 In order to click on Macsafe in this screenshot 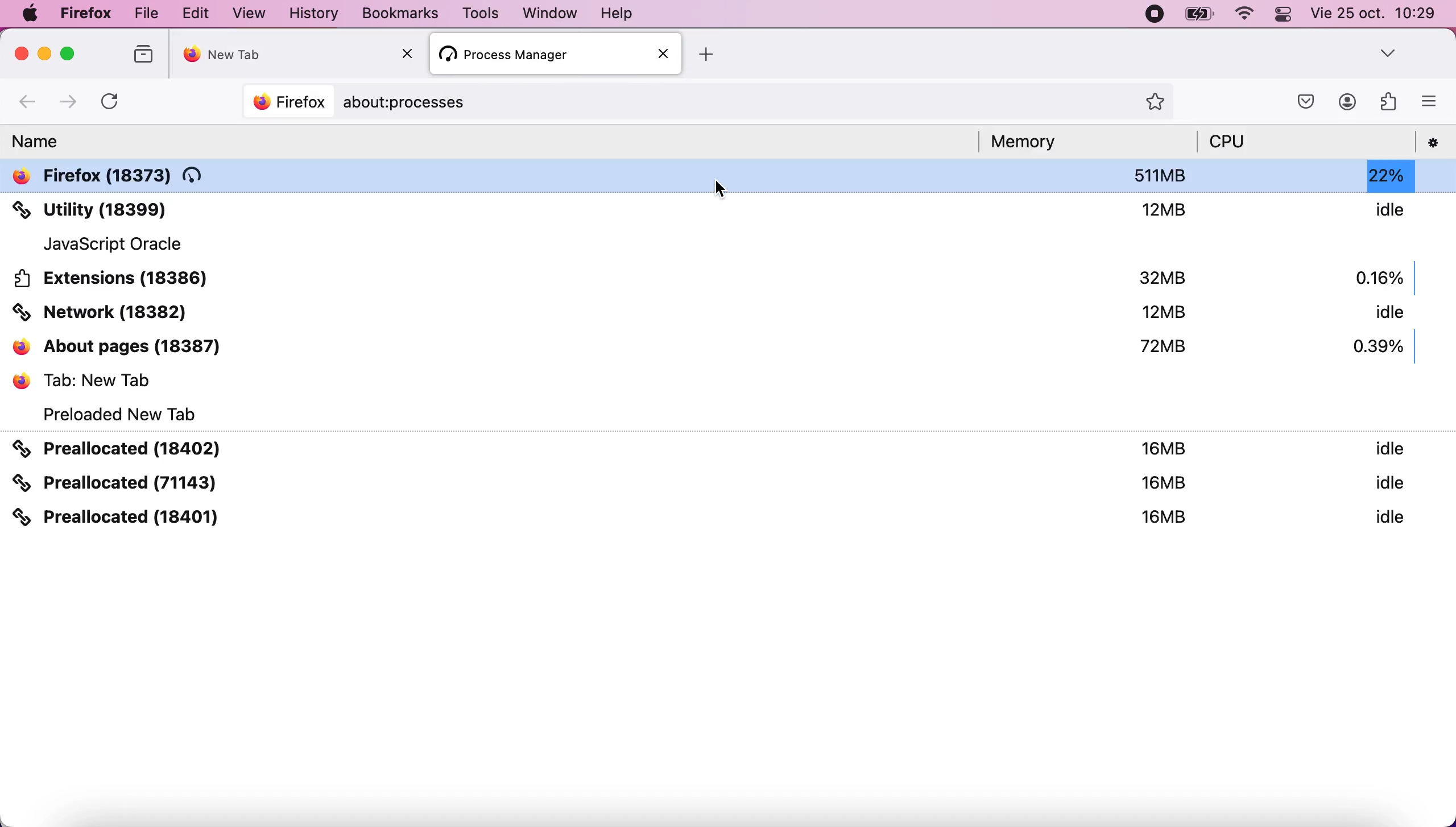, I will do `click(1306, 102)`.